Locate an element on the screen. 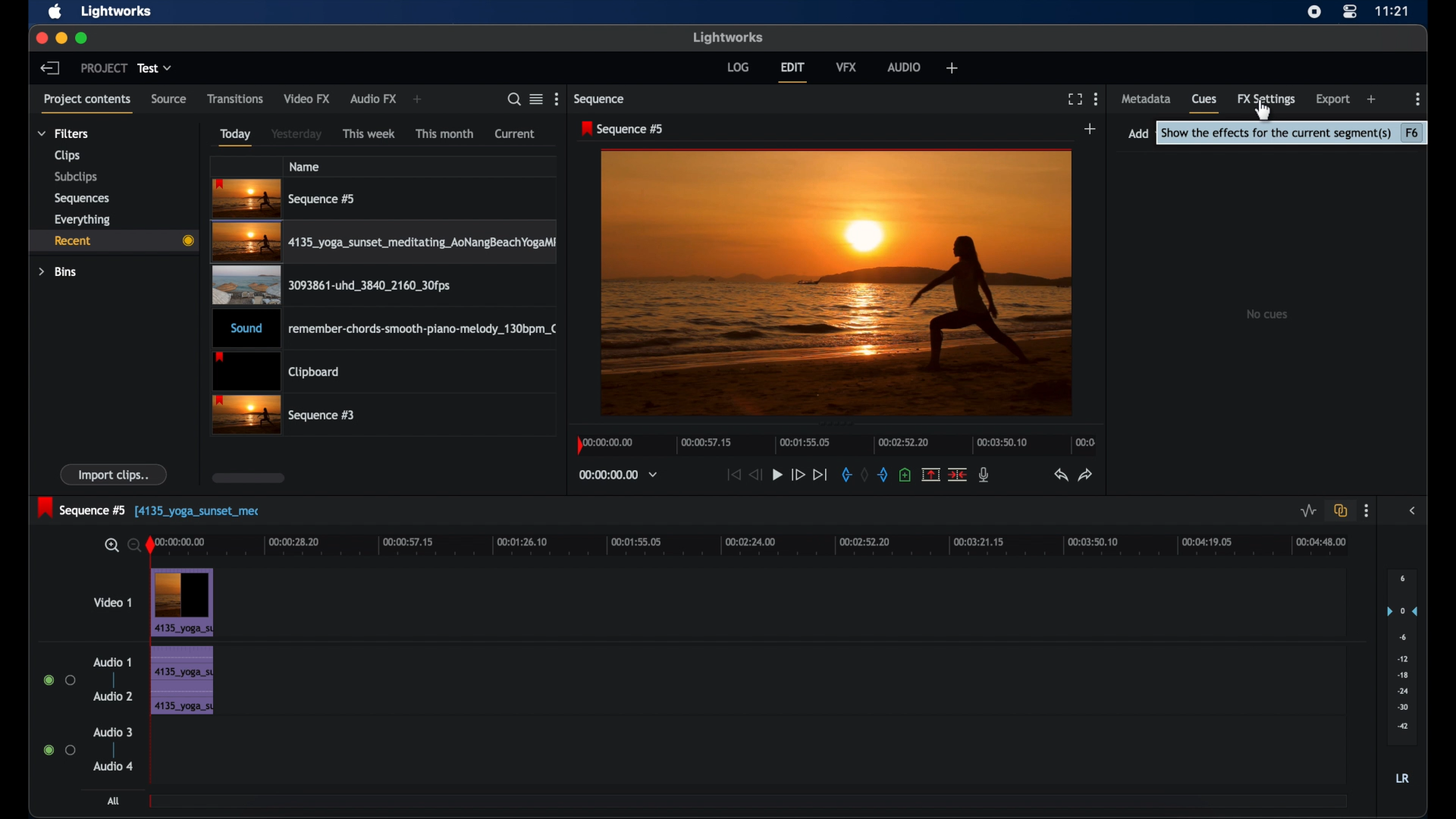  lr is located at coordinates (1402, 778).